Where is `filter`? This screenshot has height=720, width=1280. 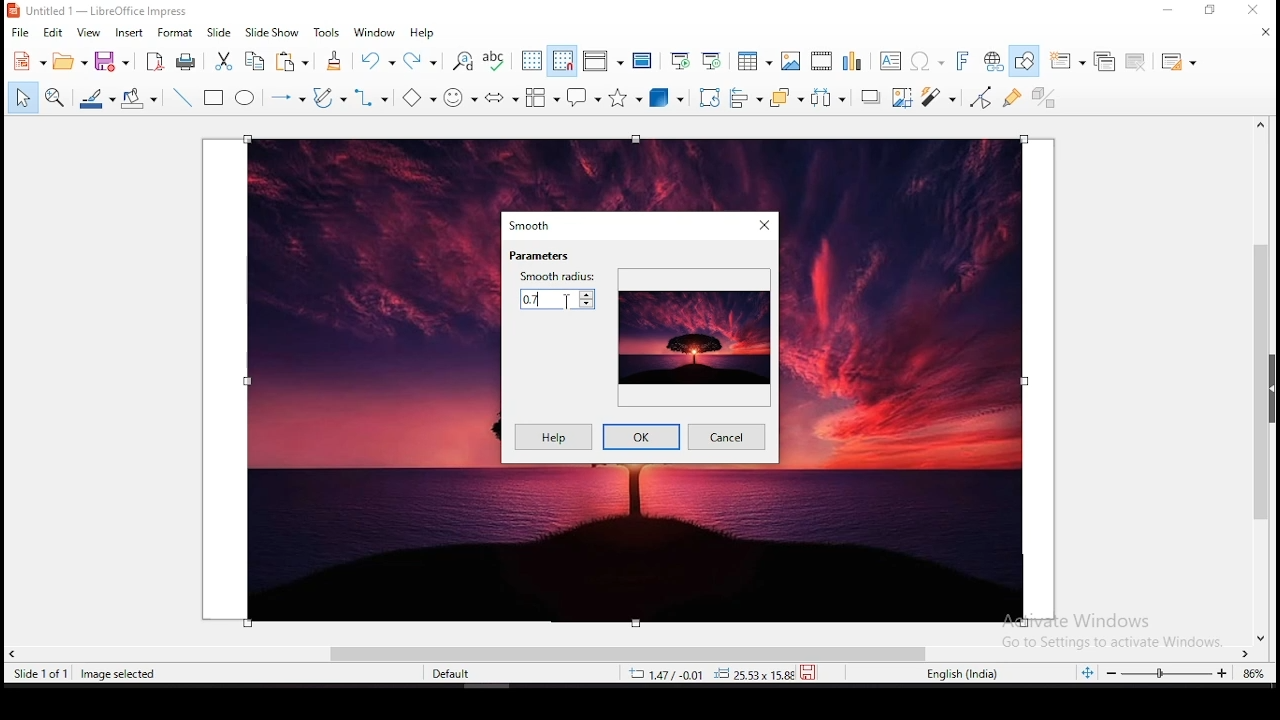 filter is located at coordinates (937, 97).